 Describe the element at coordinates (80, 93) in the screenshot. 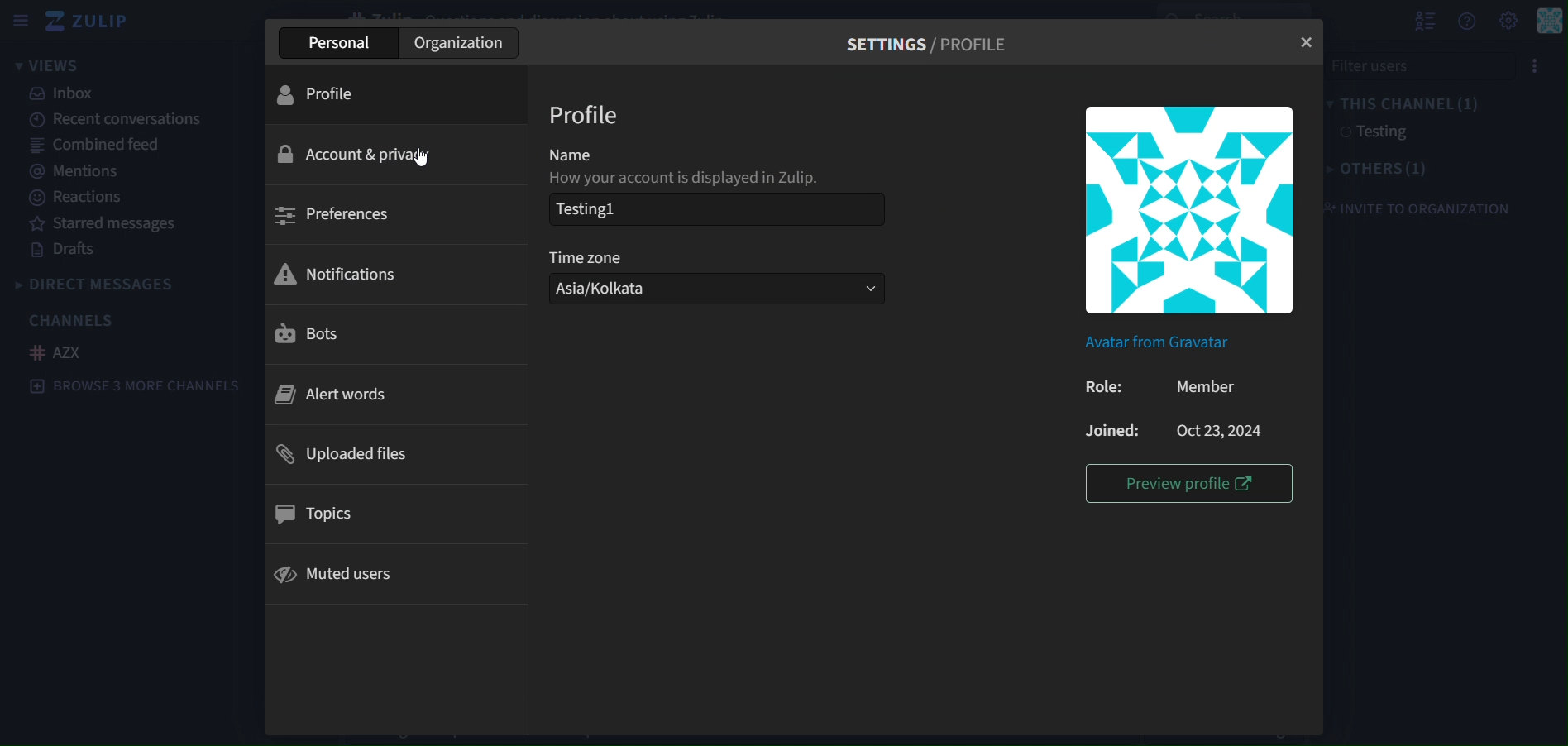

I see `inbox` at that location.